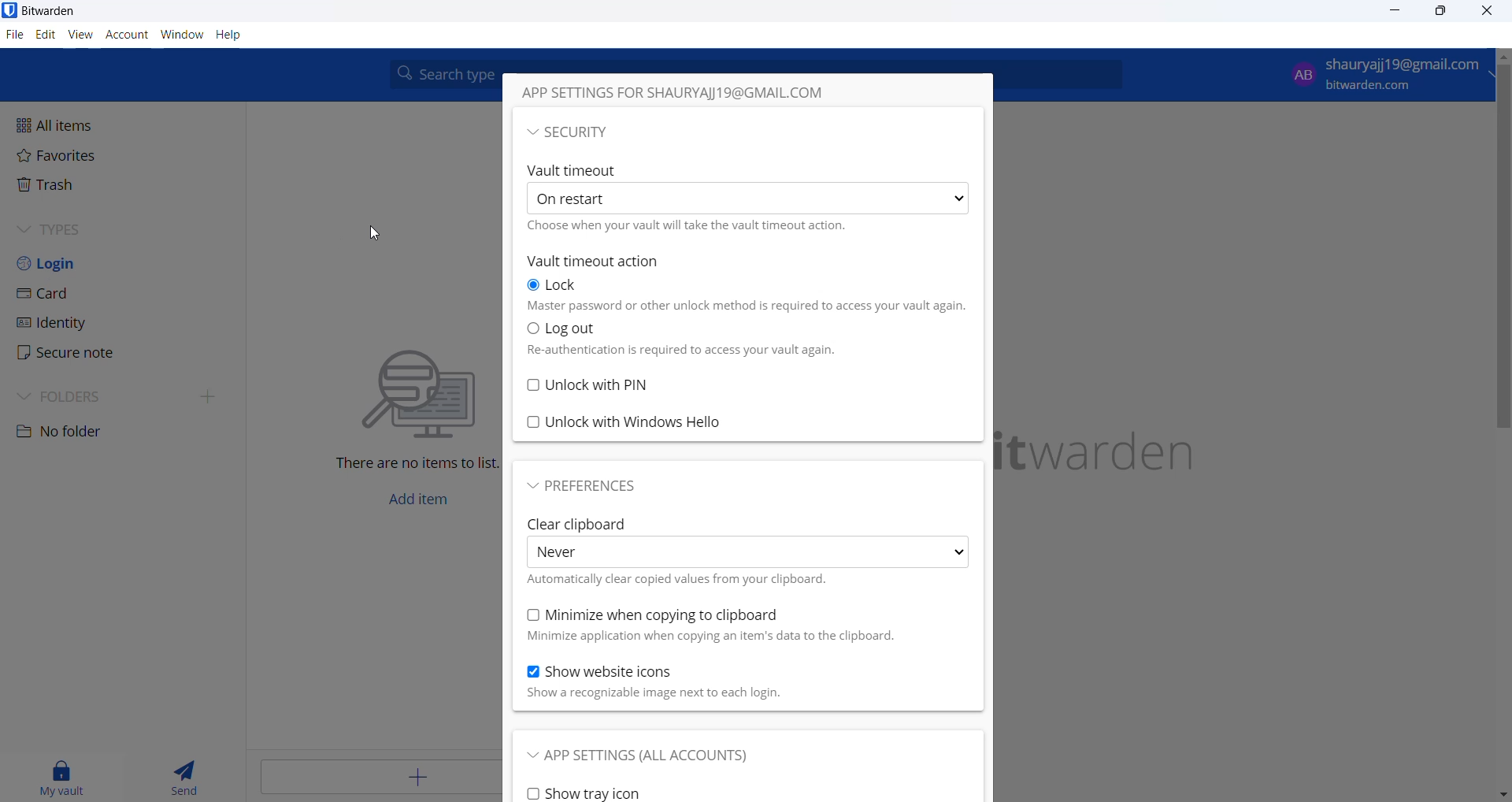 This screenshot has height=802, width=1512. I want to click on my vault , so click(63, 779).